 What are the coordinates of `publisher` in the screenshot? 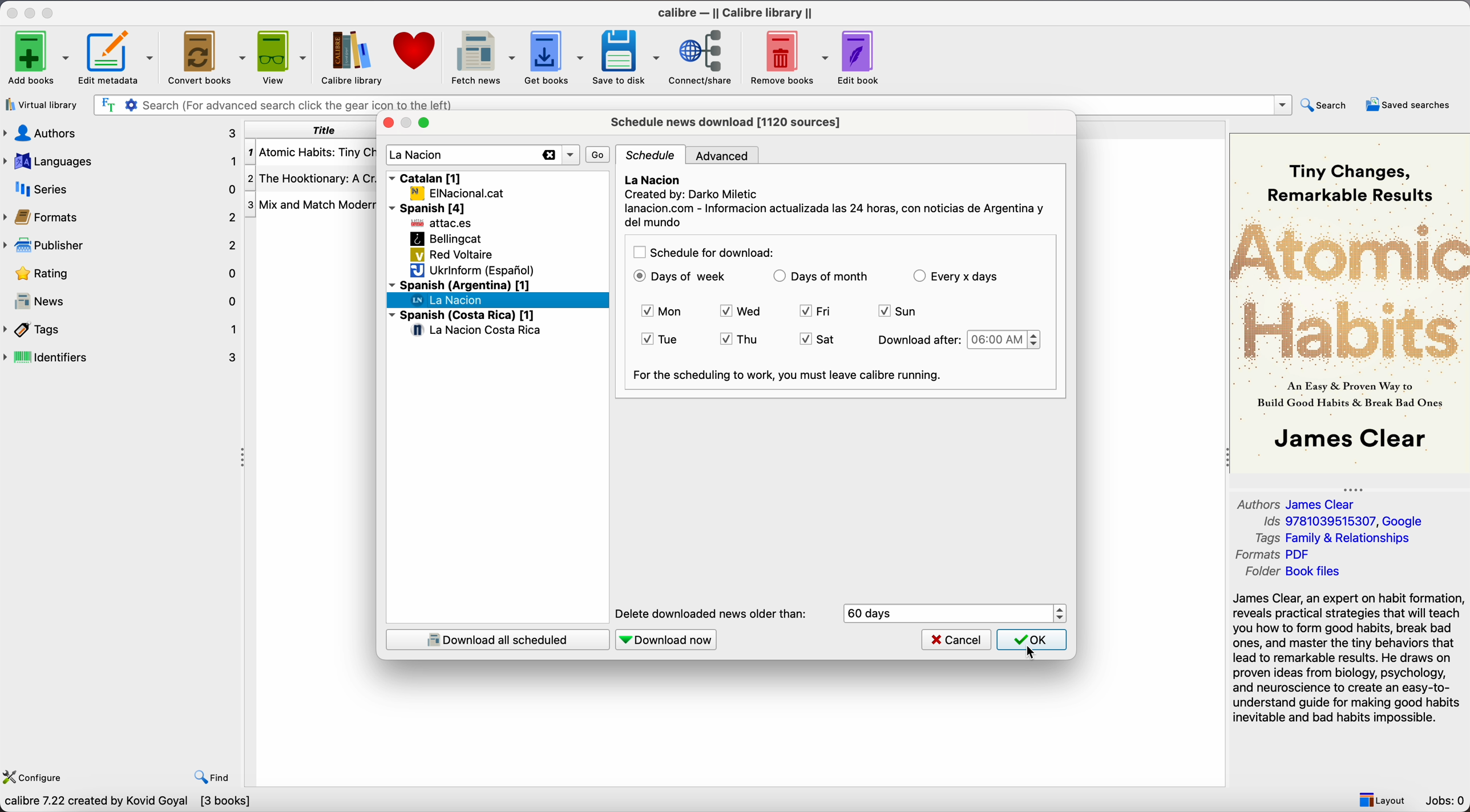 It's located at (119, 245).